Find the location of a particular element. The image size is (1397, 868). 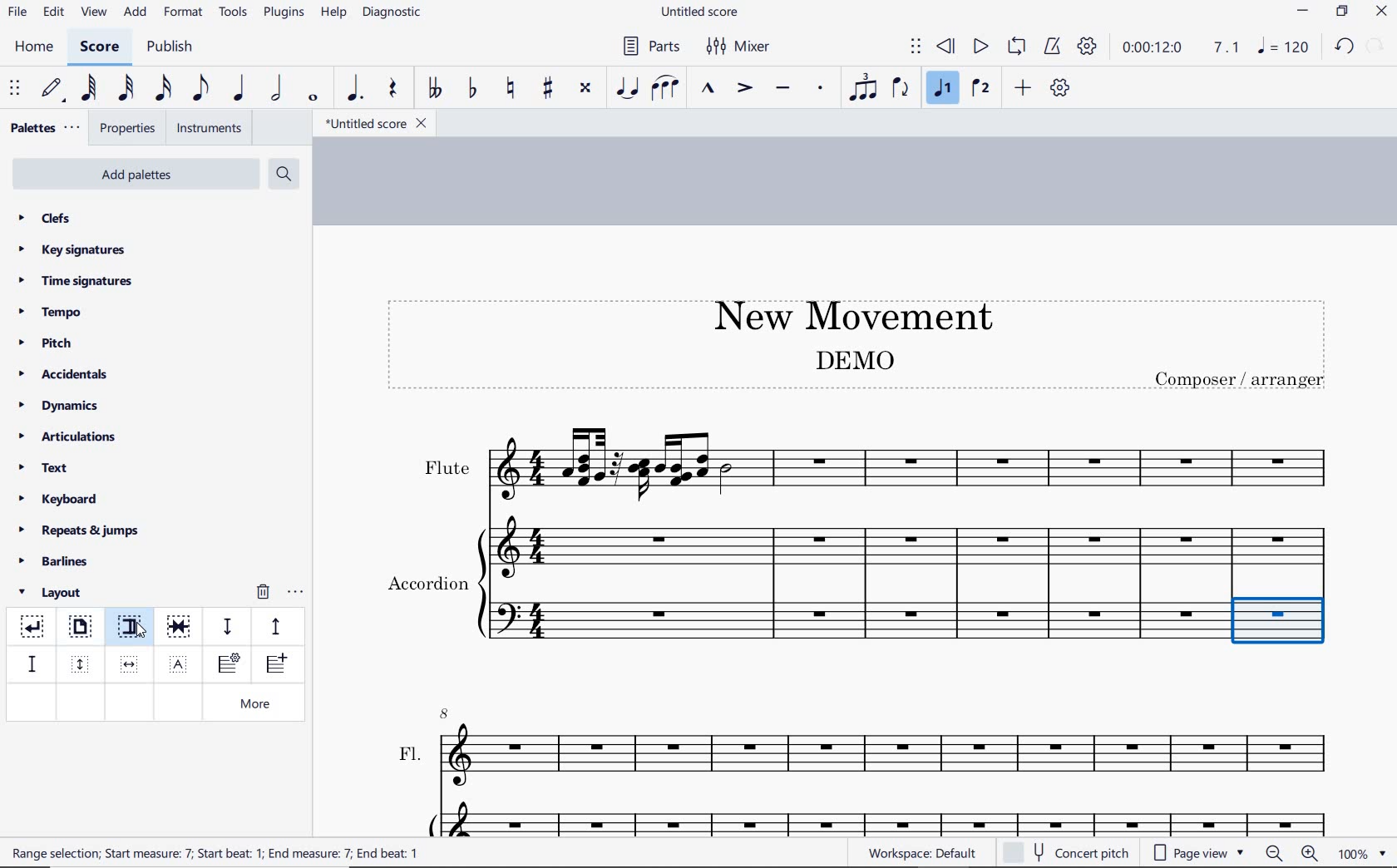

file is located at coordinates (17, 15).